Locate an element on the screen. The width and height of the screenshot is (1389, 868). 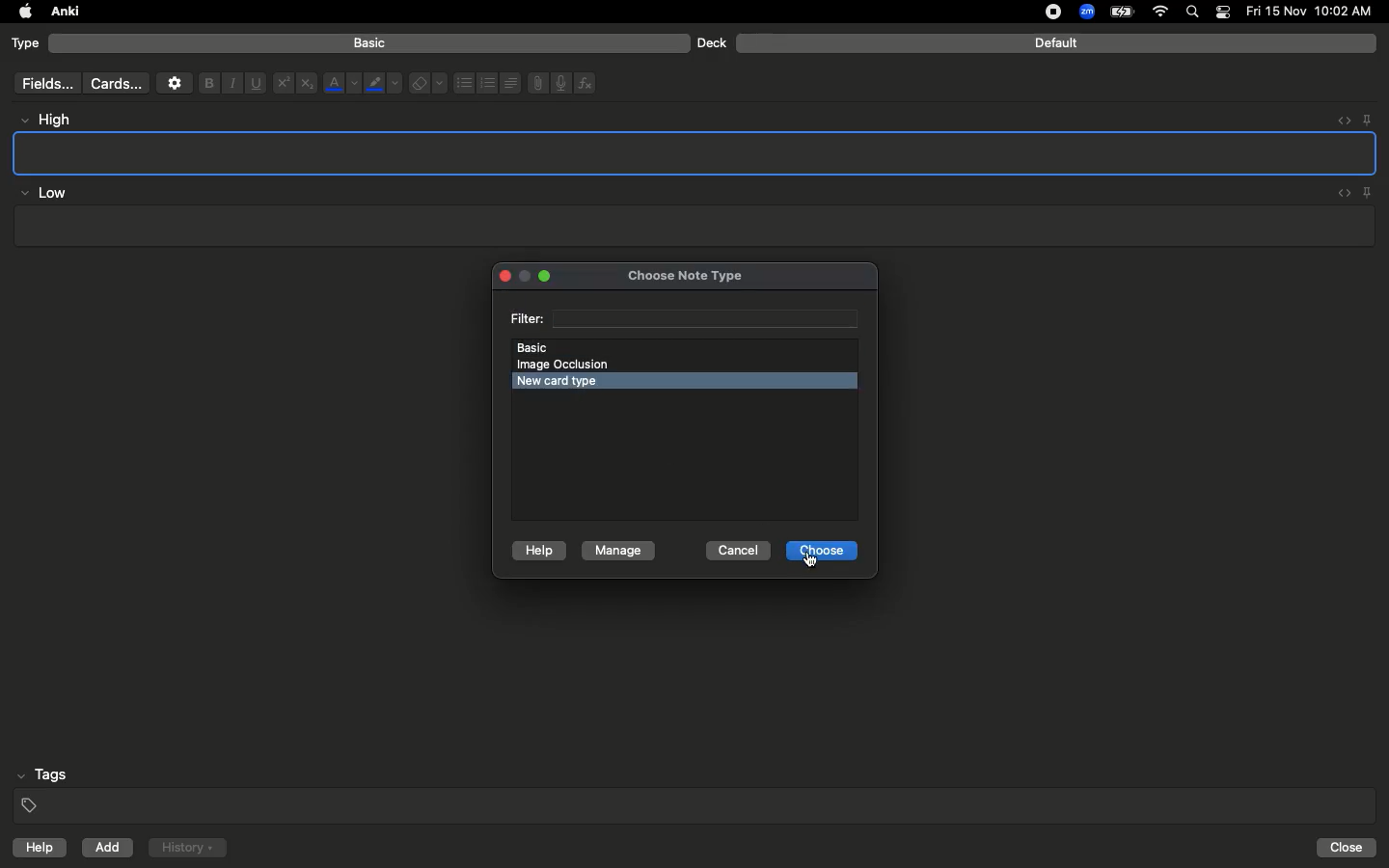
Charge is located at coordinates (1121, 12).